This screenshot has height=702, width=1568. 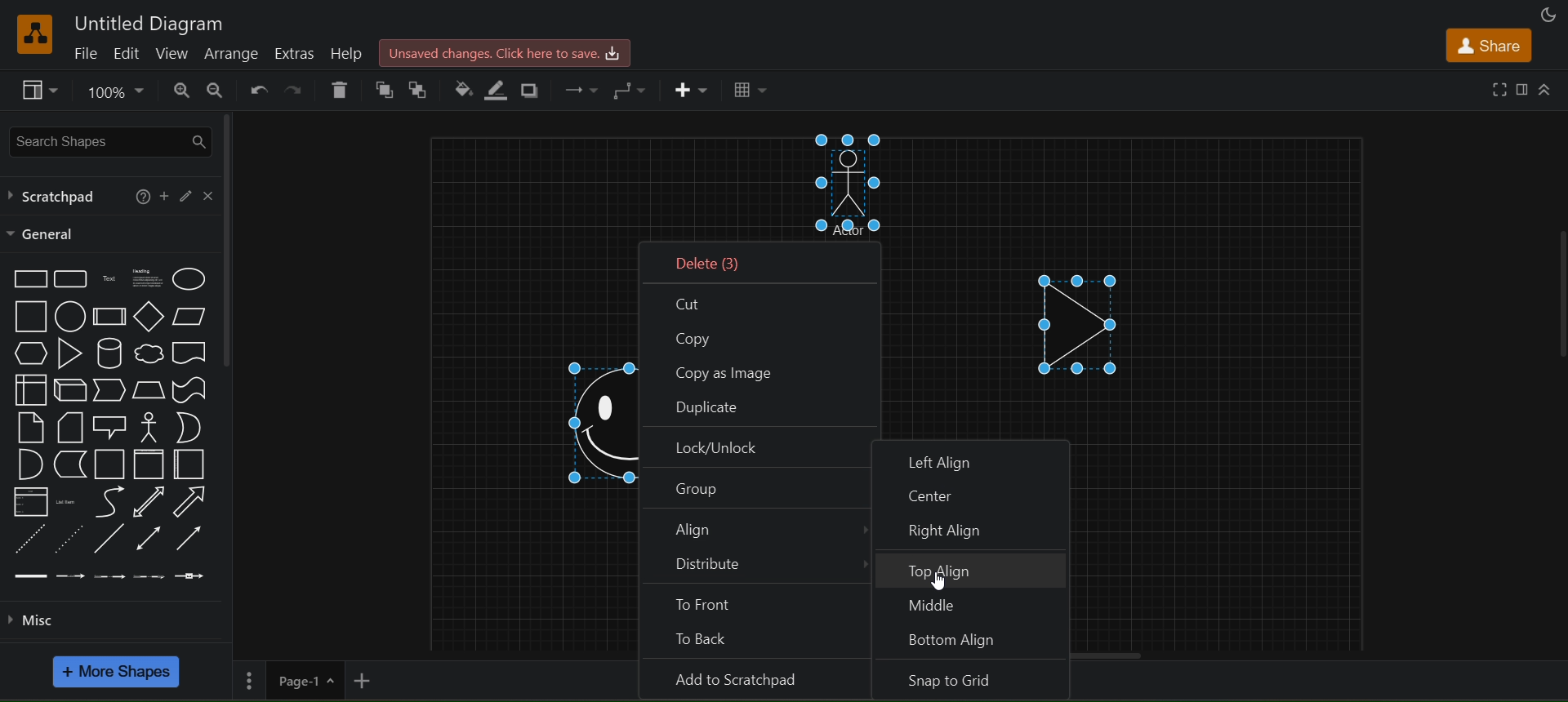 I want to click on add to scratchpad, so click(x=754, y=678).